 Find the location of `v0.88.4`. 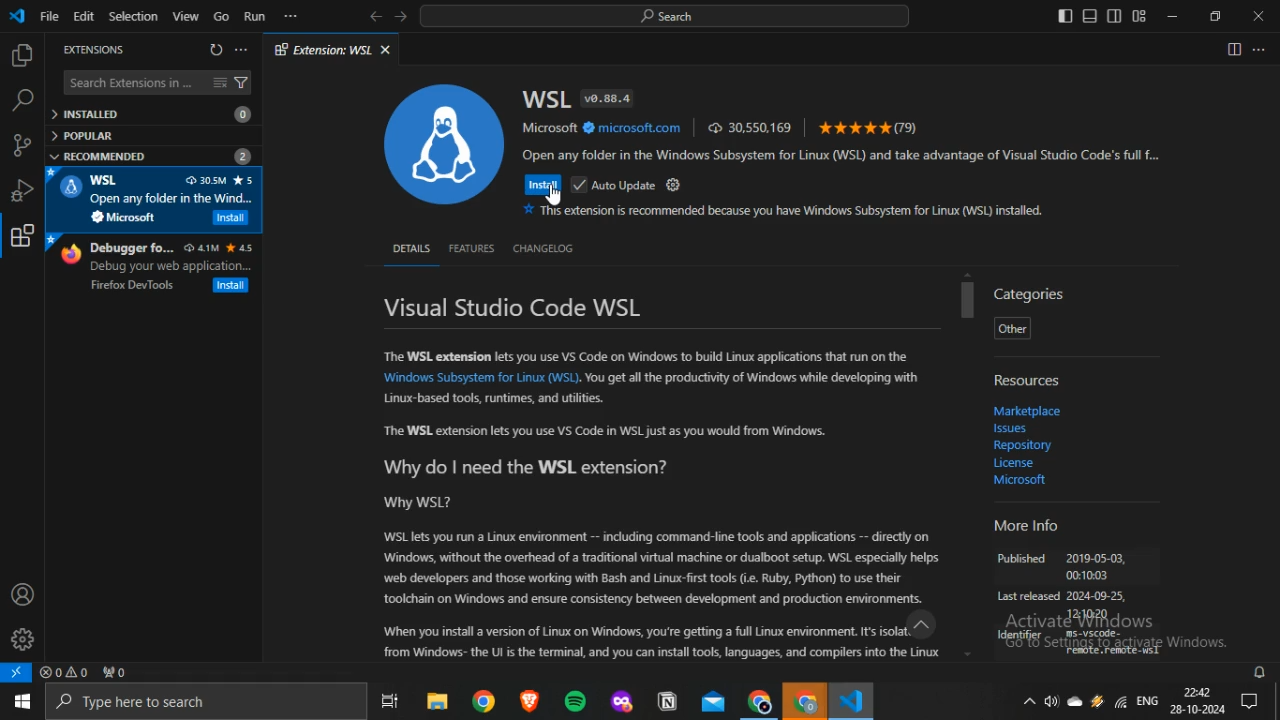

v0.88.4 is located at coordinates (606, 98).